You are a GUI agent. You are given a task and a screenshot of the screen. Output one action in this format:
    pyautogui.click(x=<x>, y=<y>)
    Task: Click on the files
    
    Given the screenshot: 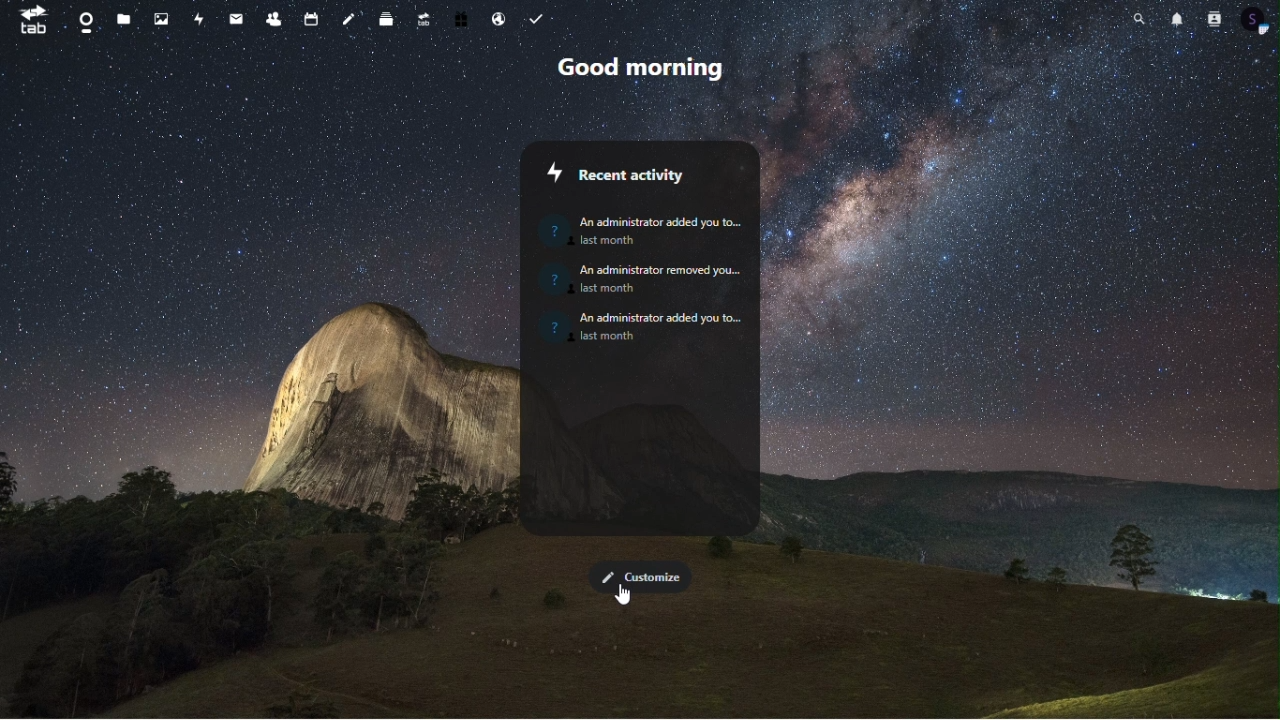 What is the action you would take?
    pyautogui.click(x=128, y=22)
    